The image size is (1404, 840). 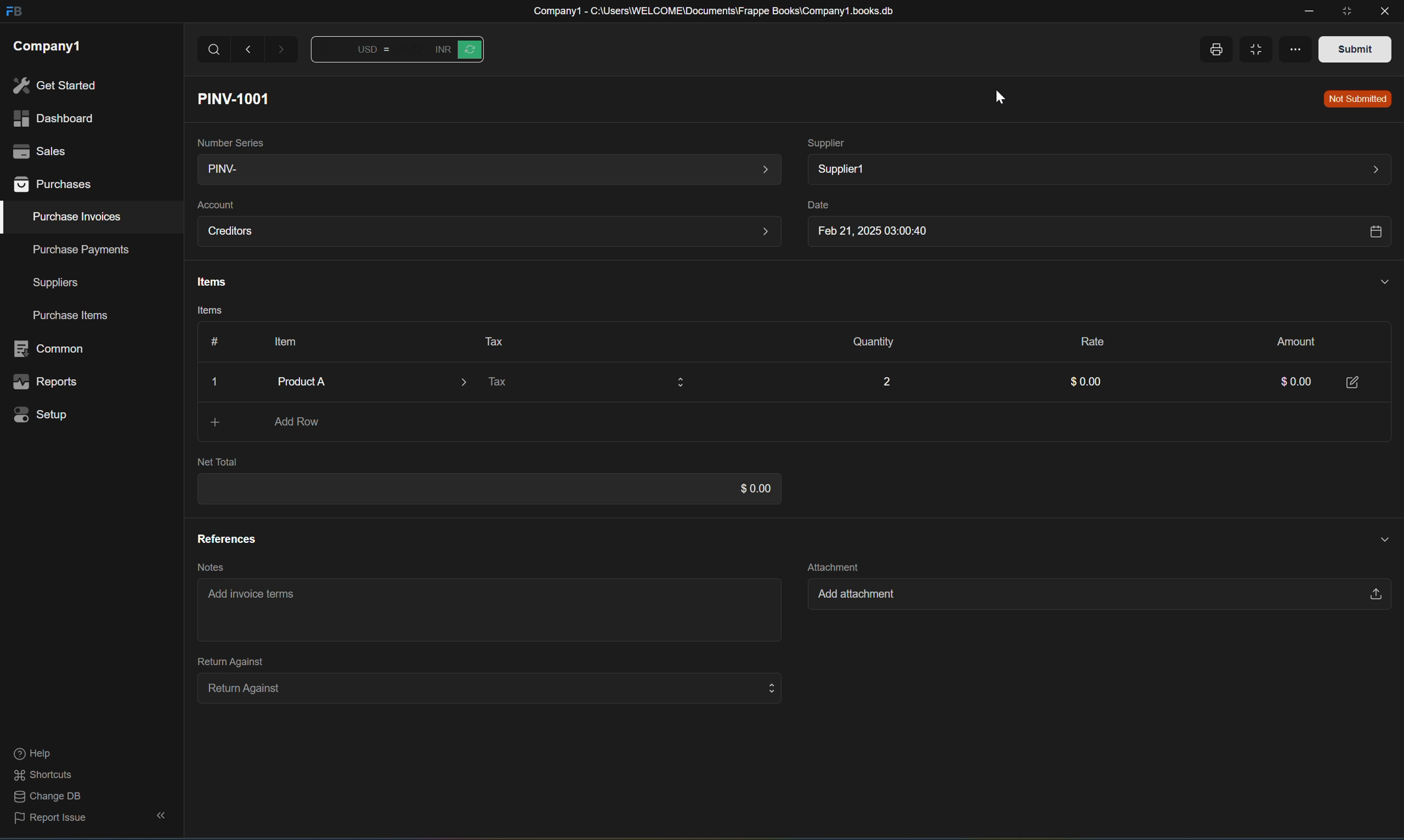 I want to click on Net Total, so click(x=217, y=462).